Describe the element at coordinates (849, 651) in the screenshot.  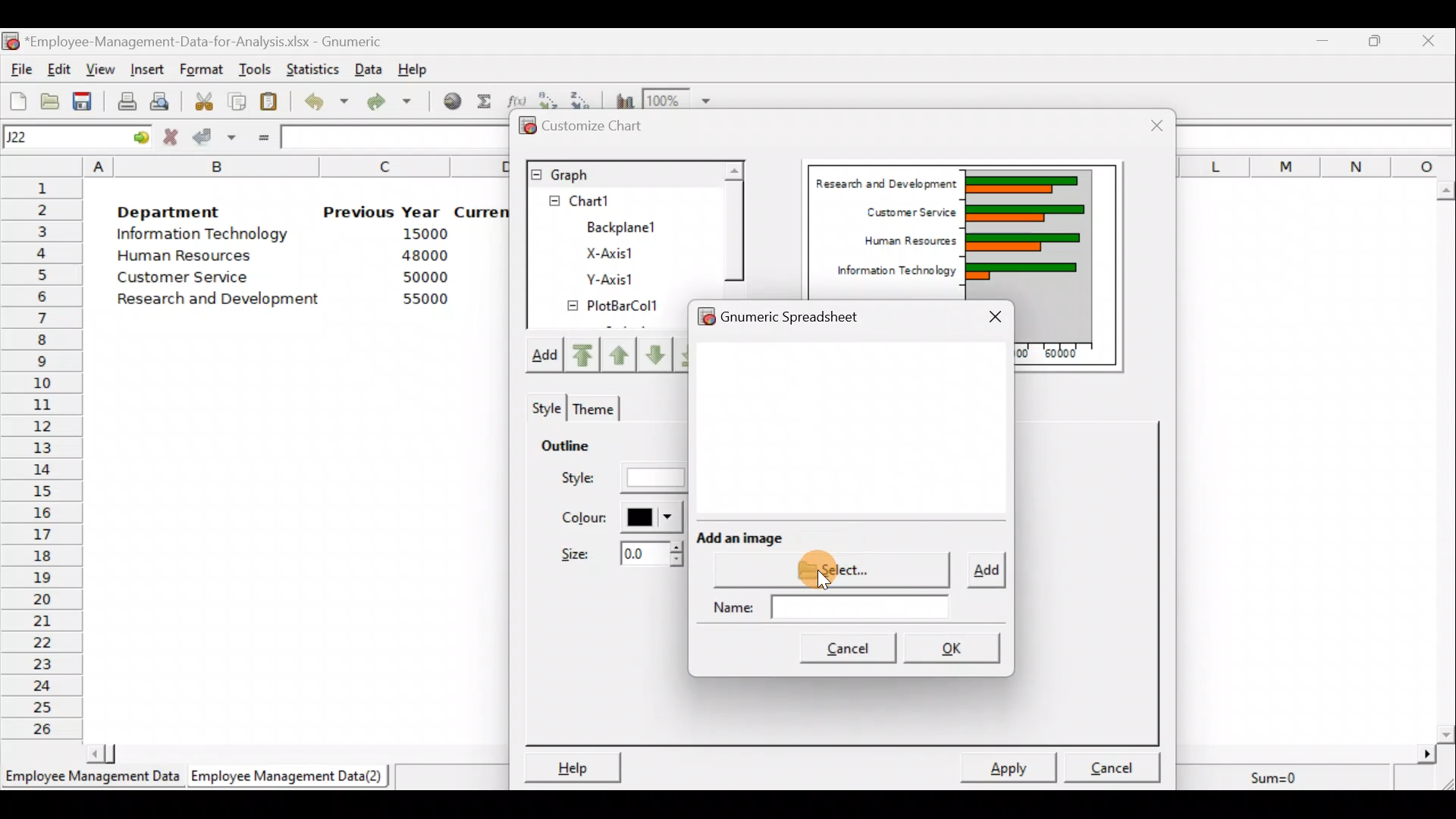
I see `Cancel` at that location.